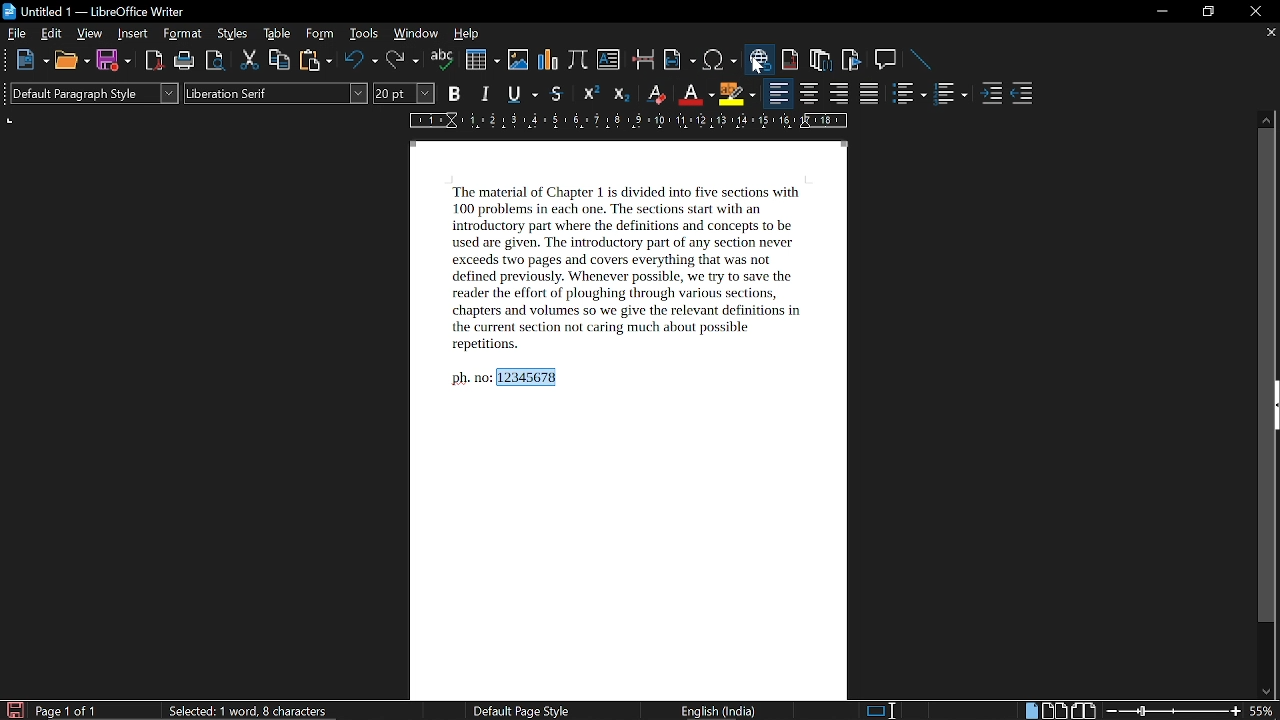  I want to click on 123456789, so click(530, 377).